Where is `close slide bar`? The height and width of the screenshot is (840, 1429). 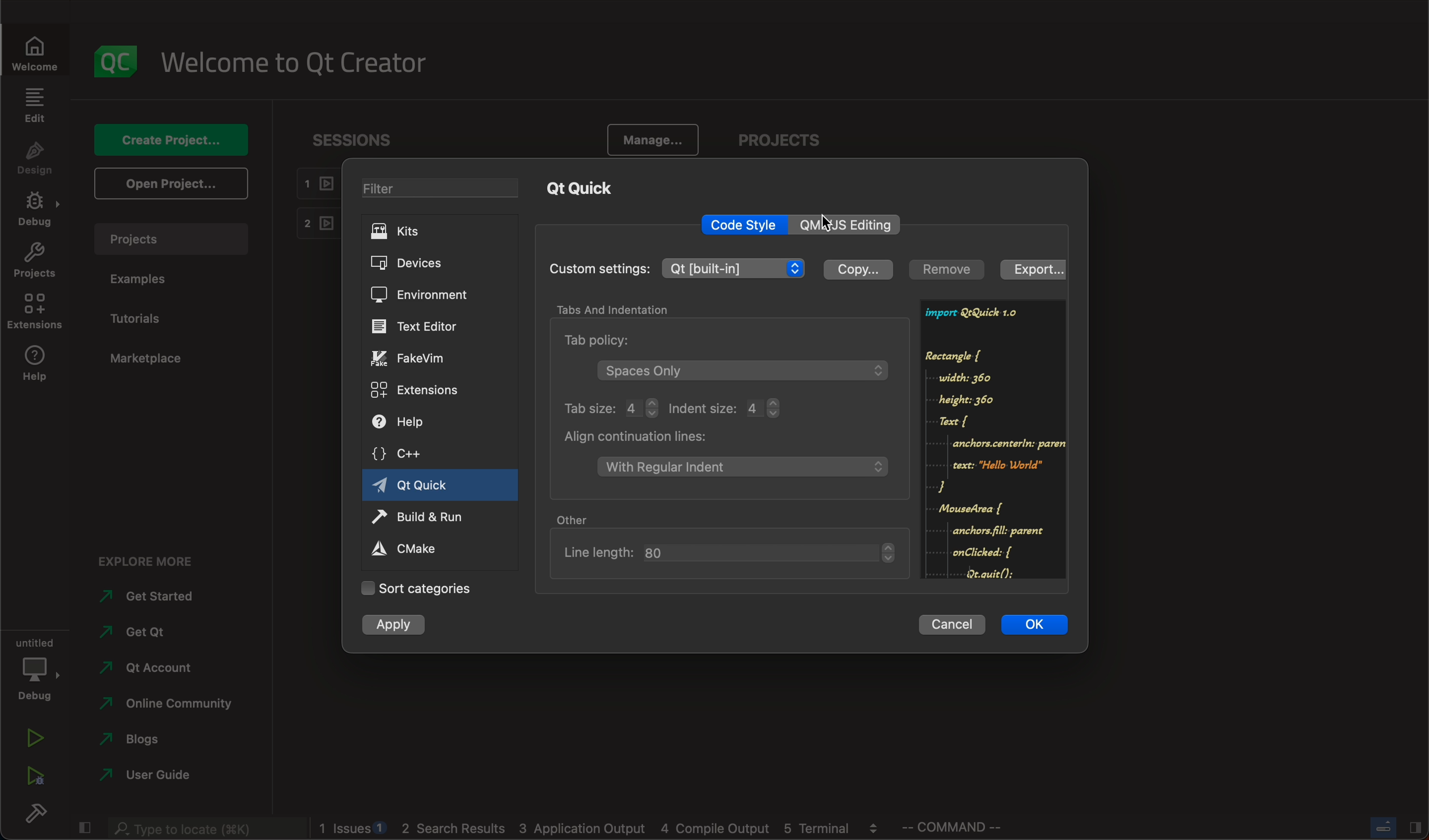 close slide bar is located at coordinates (1393, 826).